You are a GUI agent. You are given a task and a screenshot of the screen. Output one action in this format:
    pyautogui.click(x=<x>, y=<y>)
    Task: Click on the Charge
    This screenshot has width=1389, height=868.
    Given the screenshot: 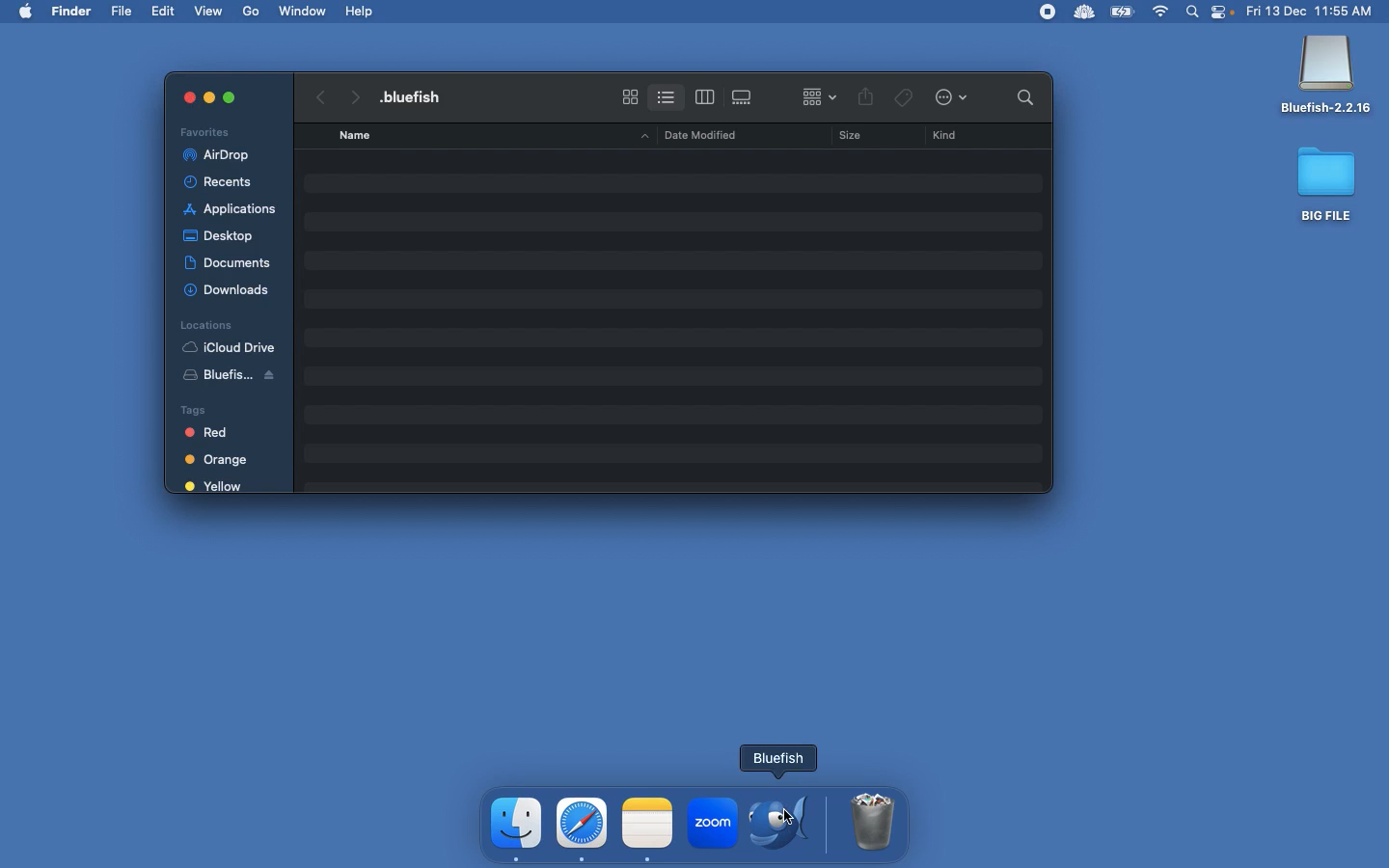 What is the action you would take?
    pyautogui.click(x=1122, y=14)
    